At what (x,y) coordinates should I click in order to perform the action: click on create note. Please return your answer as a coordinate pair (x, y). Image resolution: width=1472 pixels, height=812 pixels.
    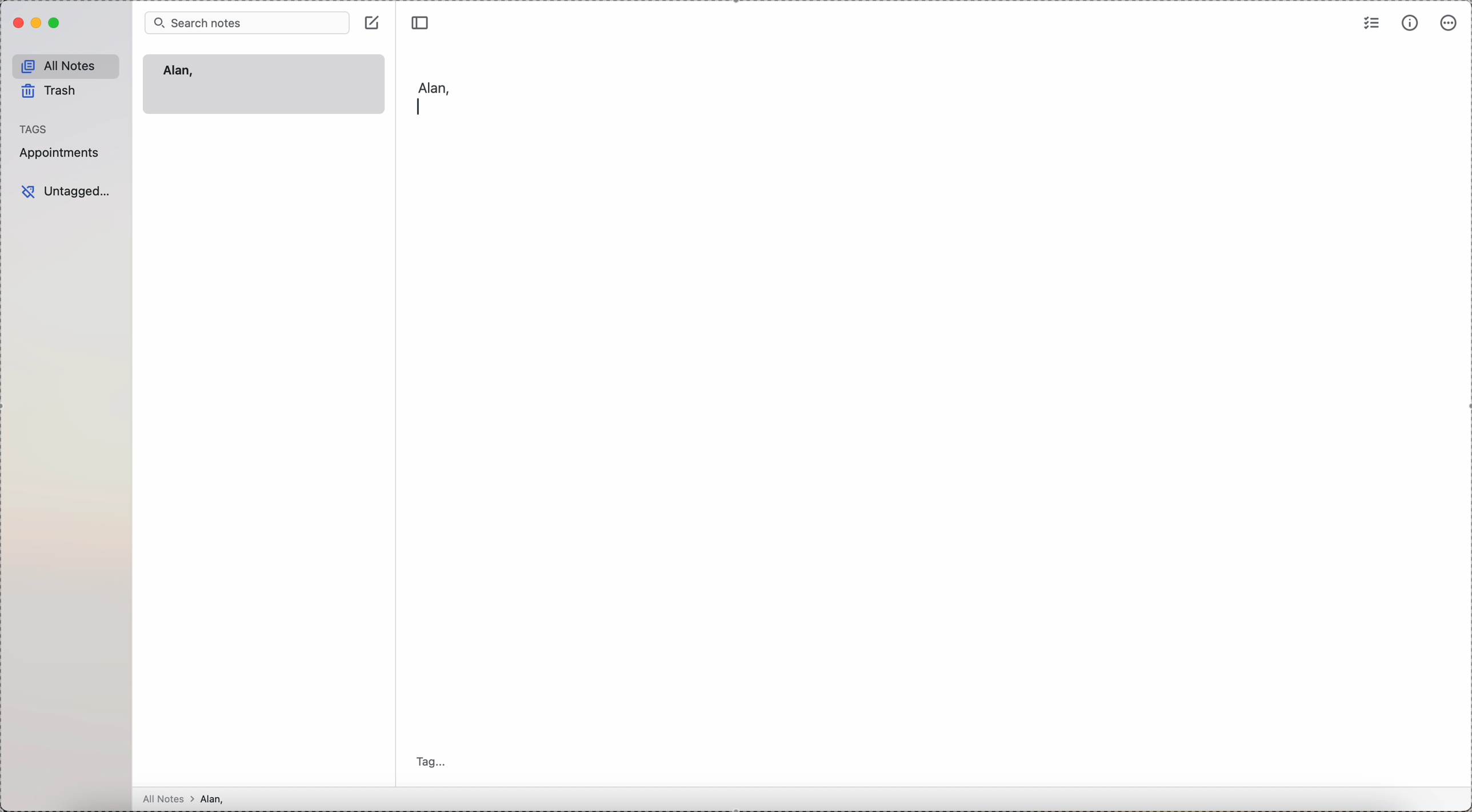
    Looking at the image, I should click on (374, 22).